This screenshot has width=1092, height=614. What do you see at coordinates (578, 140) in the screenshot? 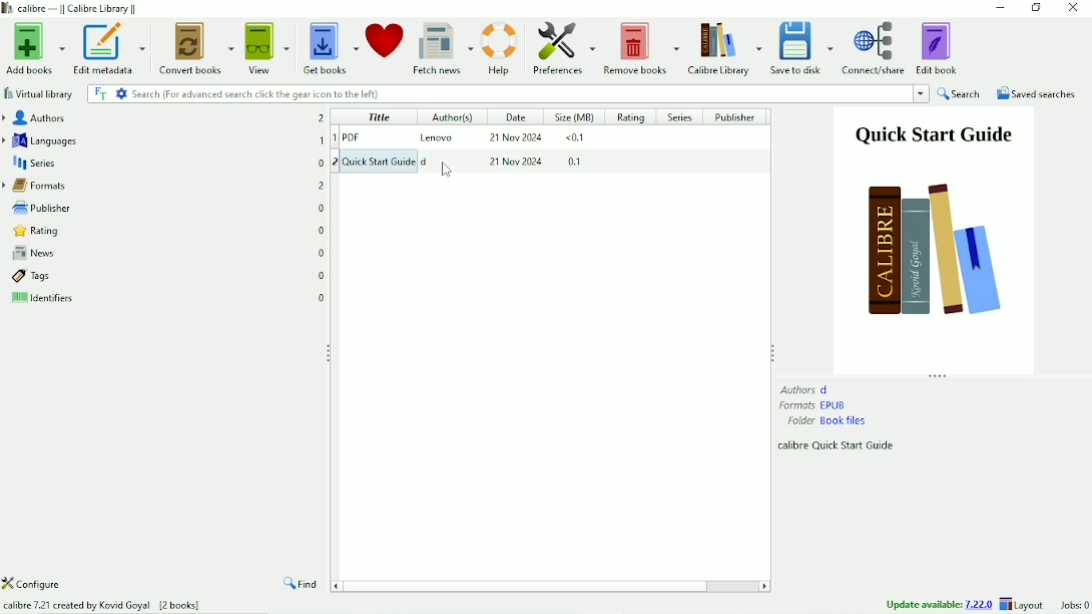
I see `<0.1` at bounding box center [578, 140].